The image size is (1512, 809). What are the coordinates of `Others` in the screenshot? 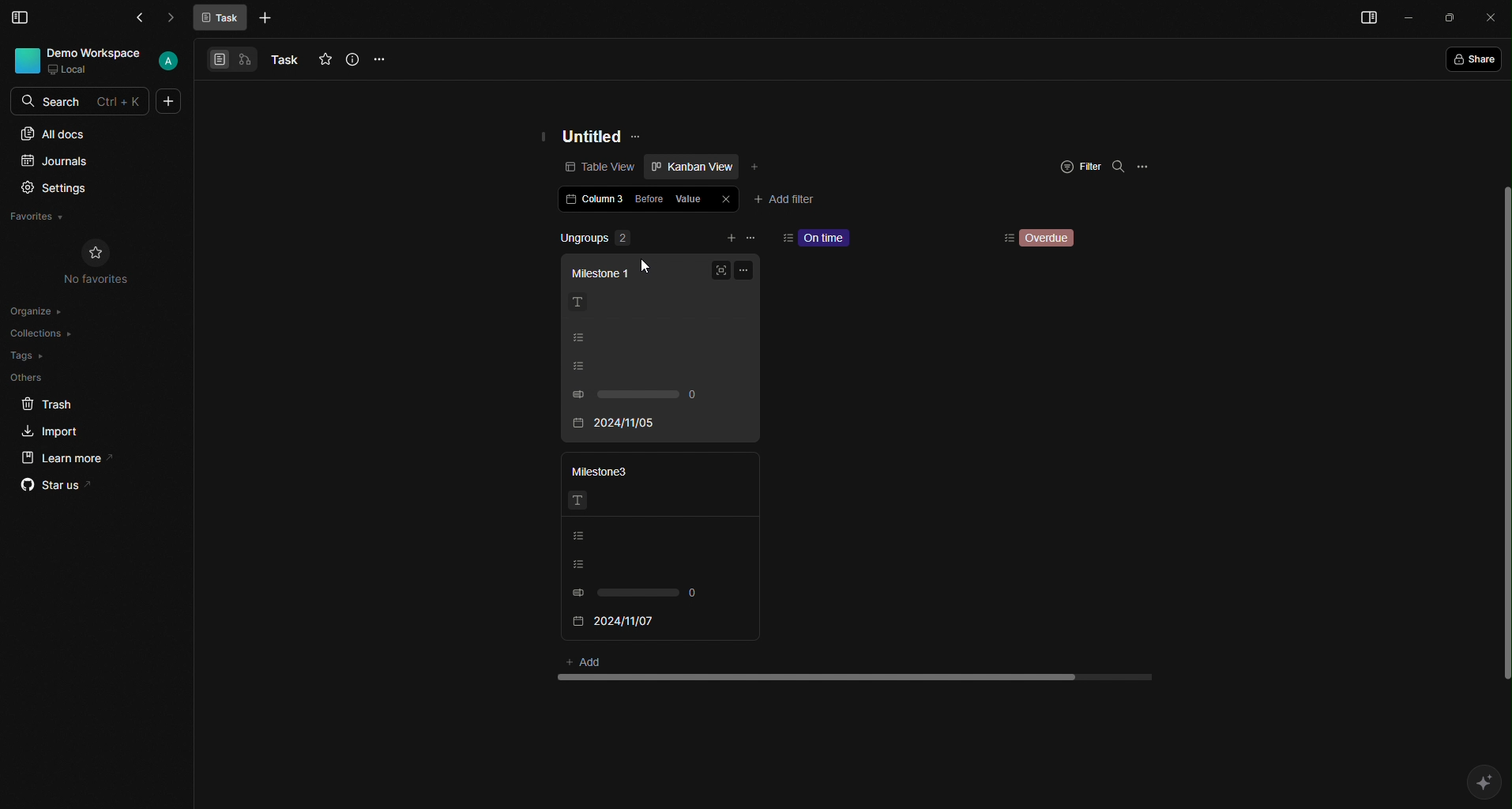 It's located at (27, 379).